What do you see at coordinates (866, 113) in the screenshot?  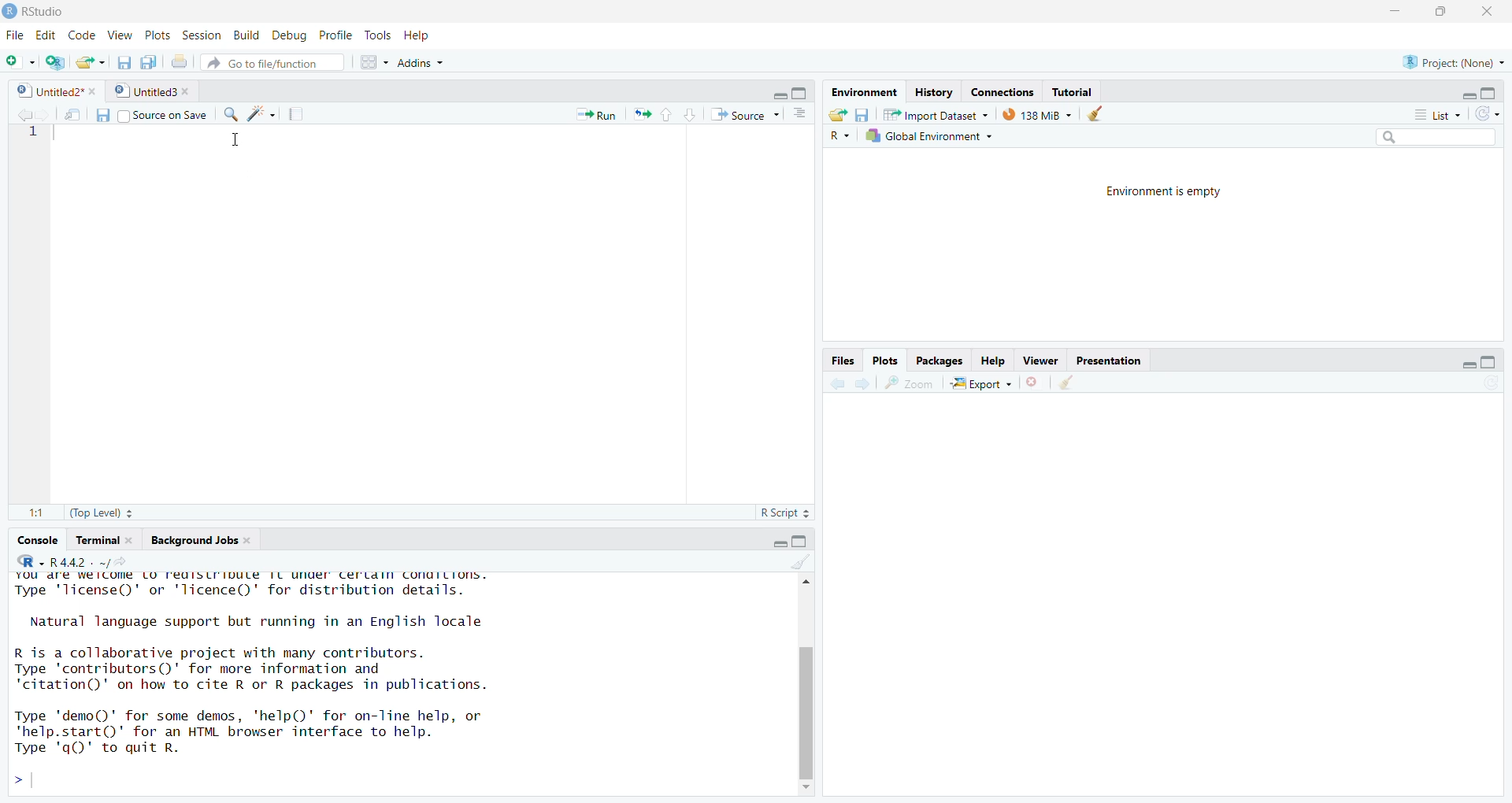 I see `Save` at bounding box center [866, 113].